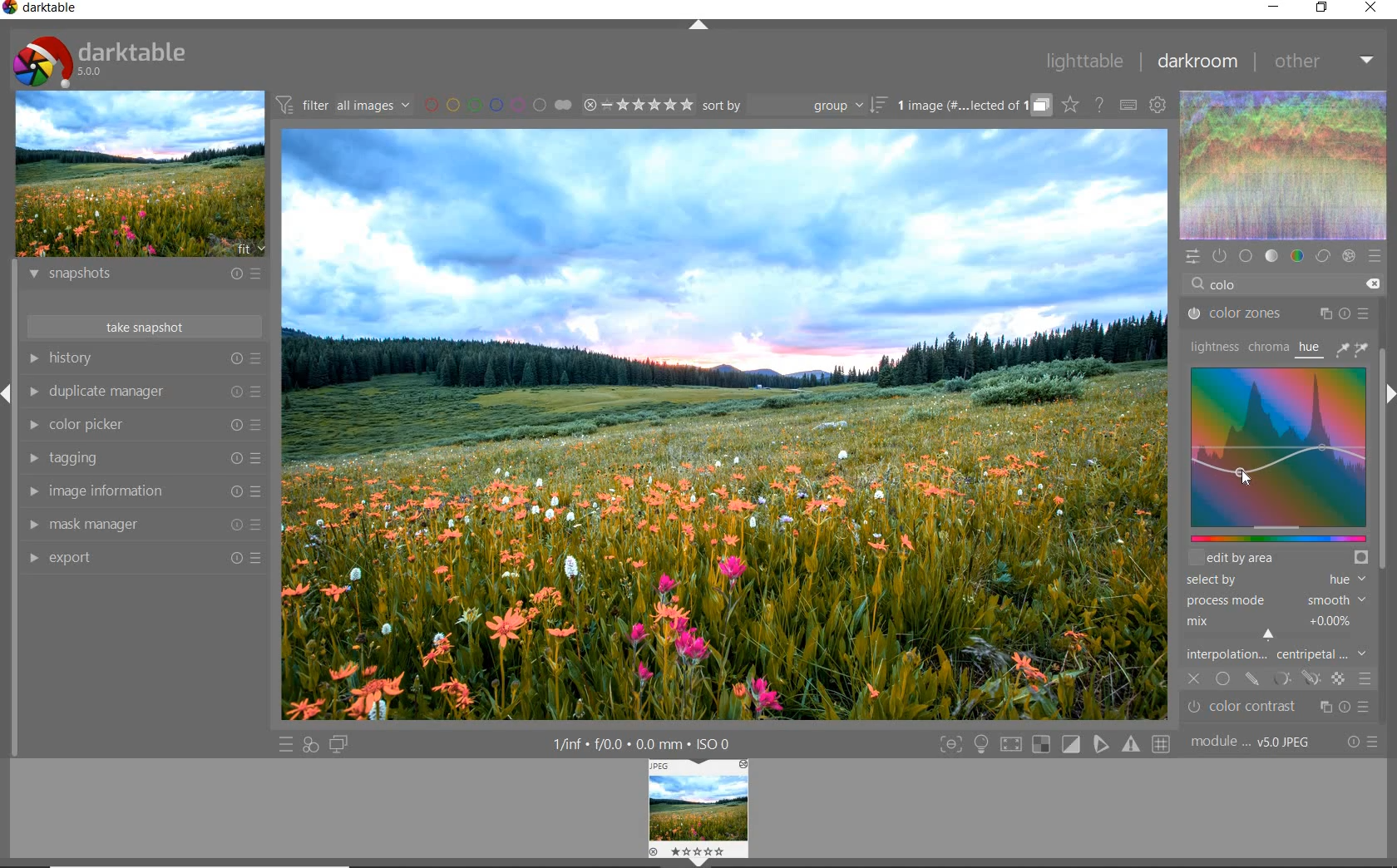 Image resolution: width=1397 pixels, height=868 pixels. I want to click on base, so click(1246, 256).